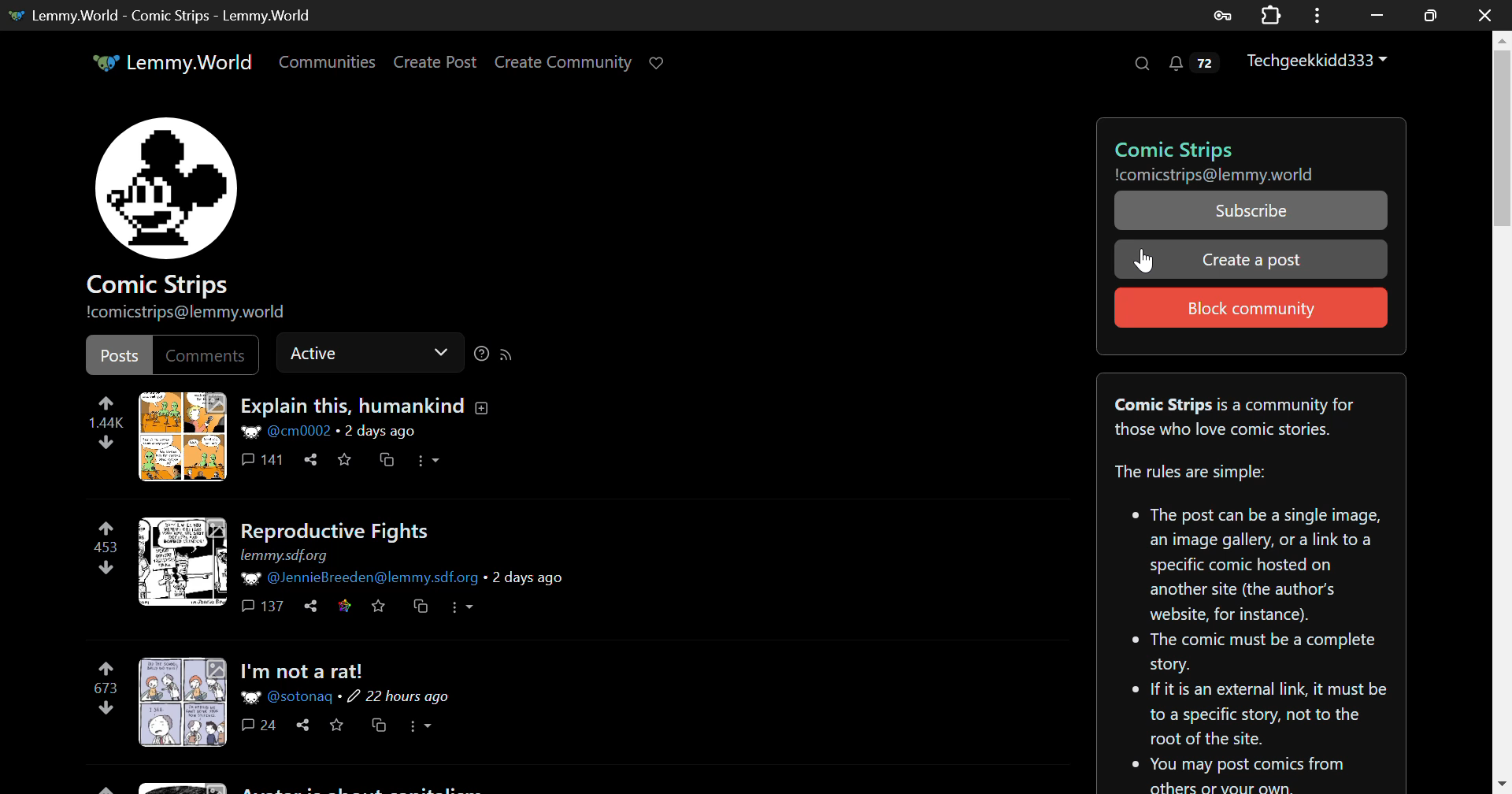 This screenshot has height=794, width=1512. Describe the element at coordinates (422, 607) in the screenshot. I see `Cross-post` at that location.